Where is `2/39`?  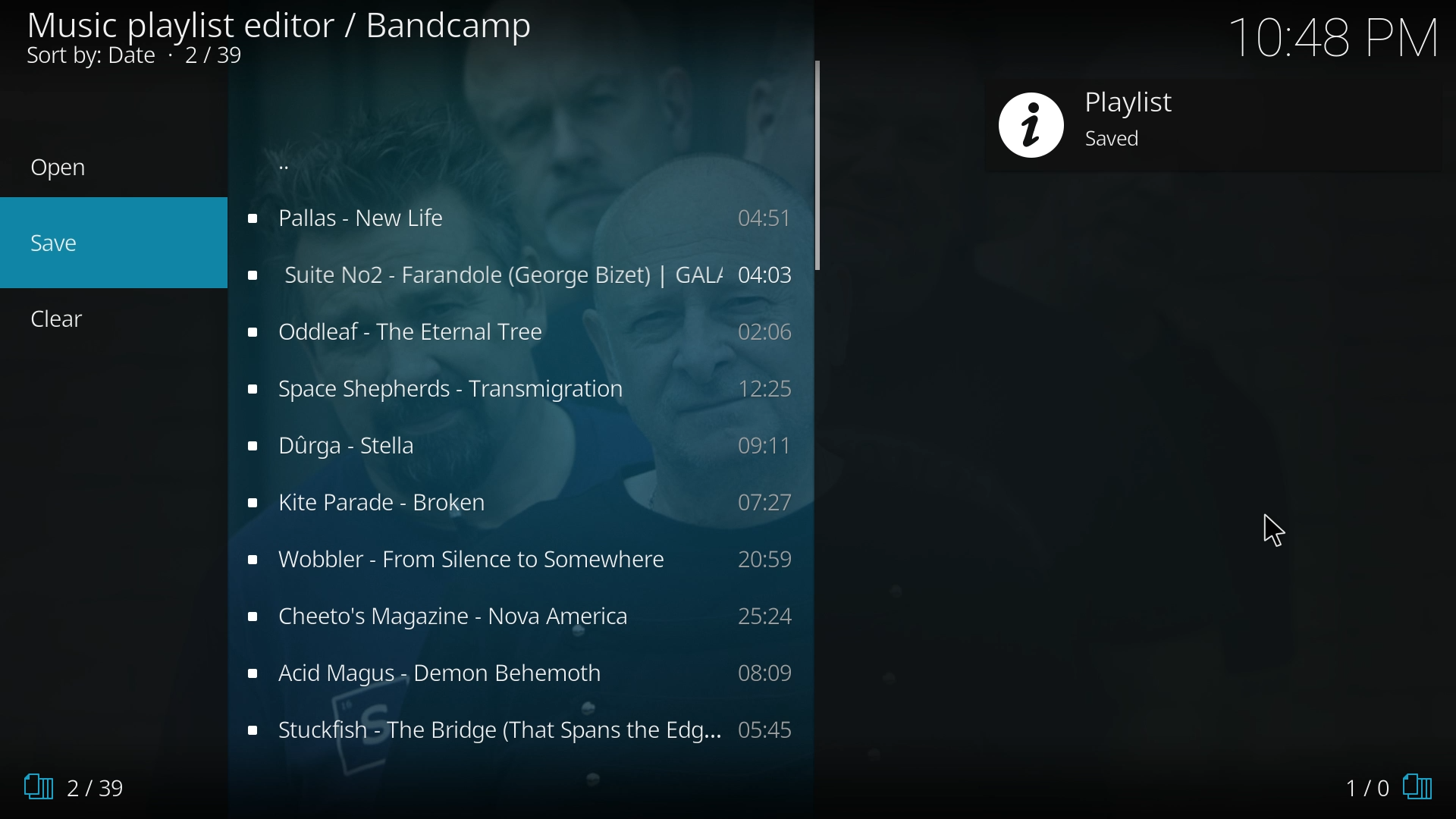
2/39 is located at coordinates (80, 781).